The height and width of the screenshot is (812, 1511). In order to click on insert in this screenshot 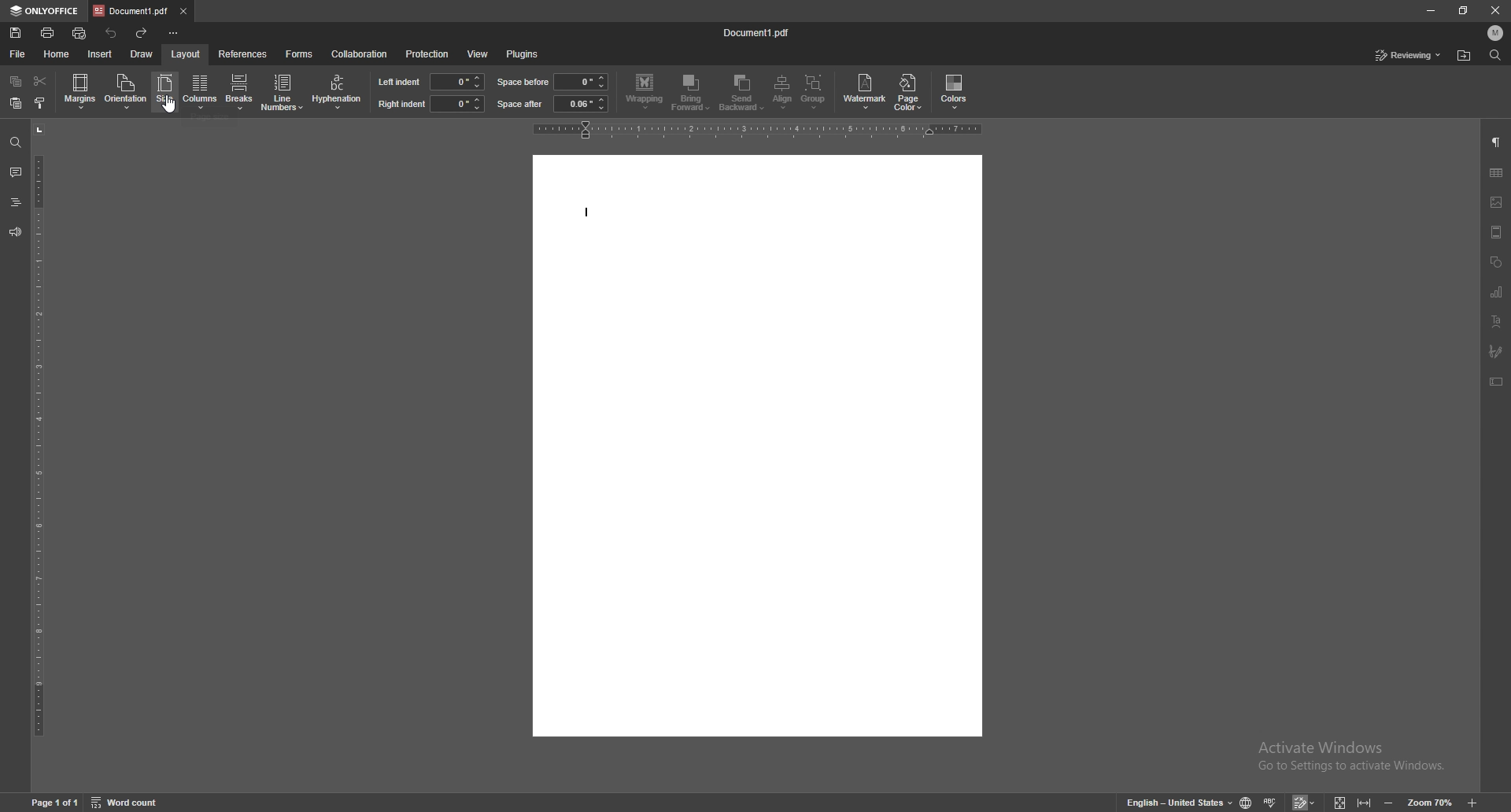, I will do `click(100, 54)`.